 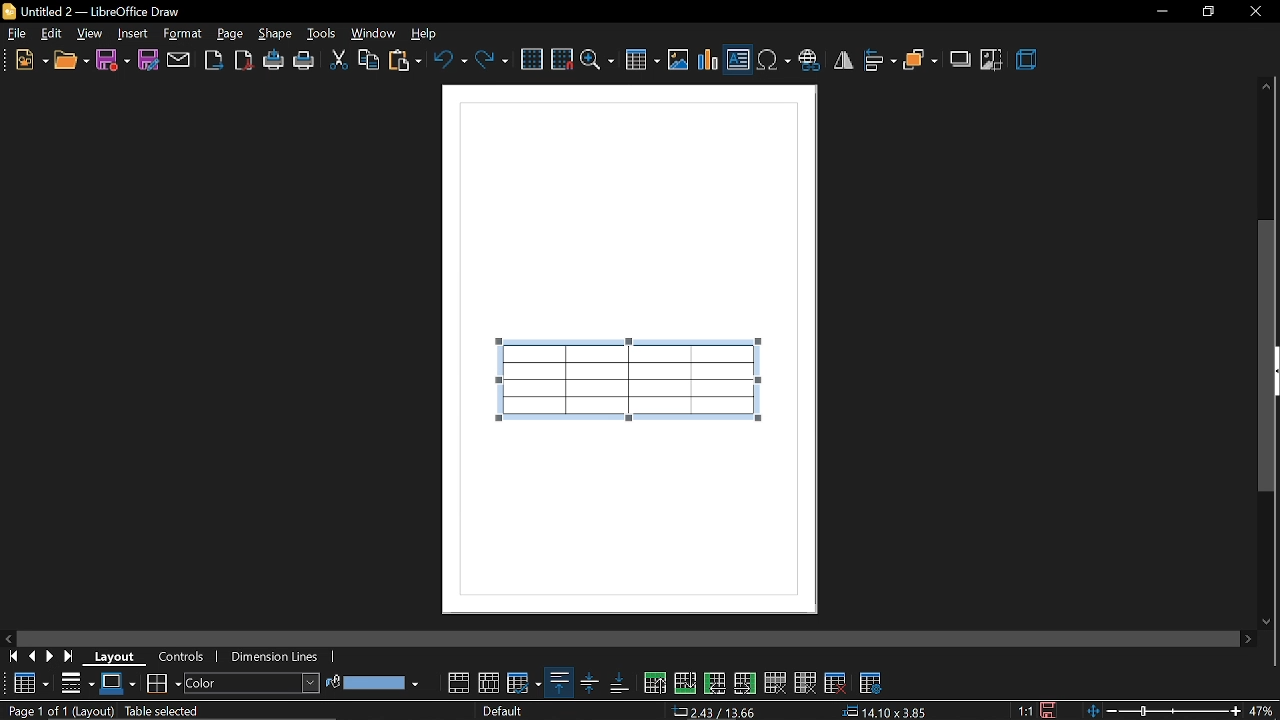 I want to click on crop, so click(x=991, y=61).